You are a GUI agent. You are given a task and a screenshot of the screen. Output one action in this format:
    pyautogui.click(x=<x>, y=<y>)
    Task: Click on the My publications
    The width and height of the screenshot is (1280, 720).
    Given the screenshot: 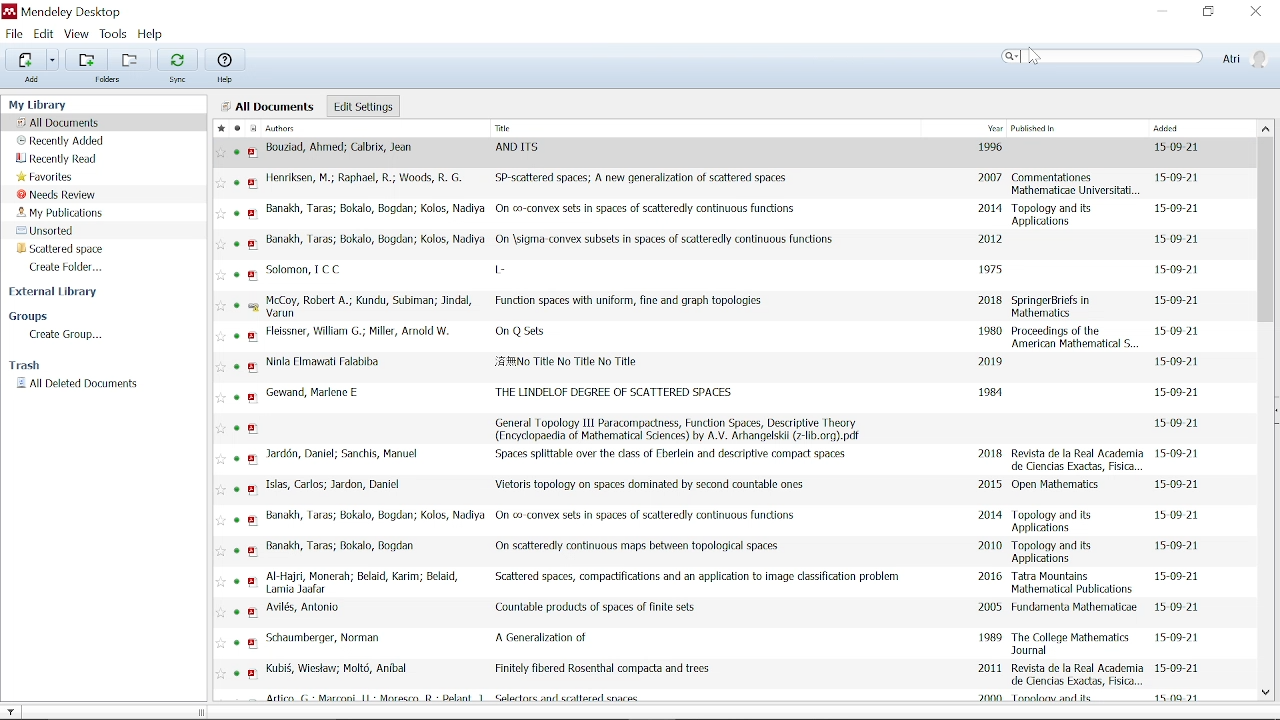 What is the action you would take?
    pyautogui.click(x=61, y=213)
    